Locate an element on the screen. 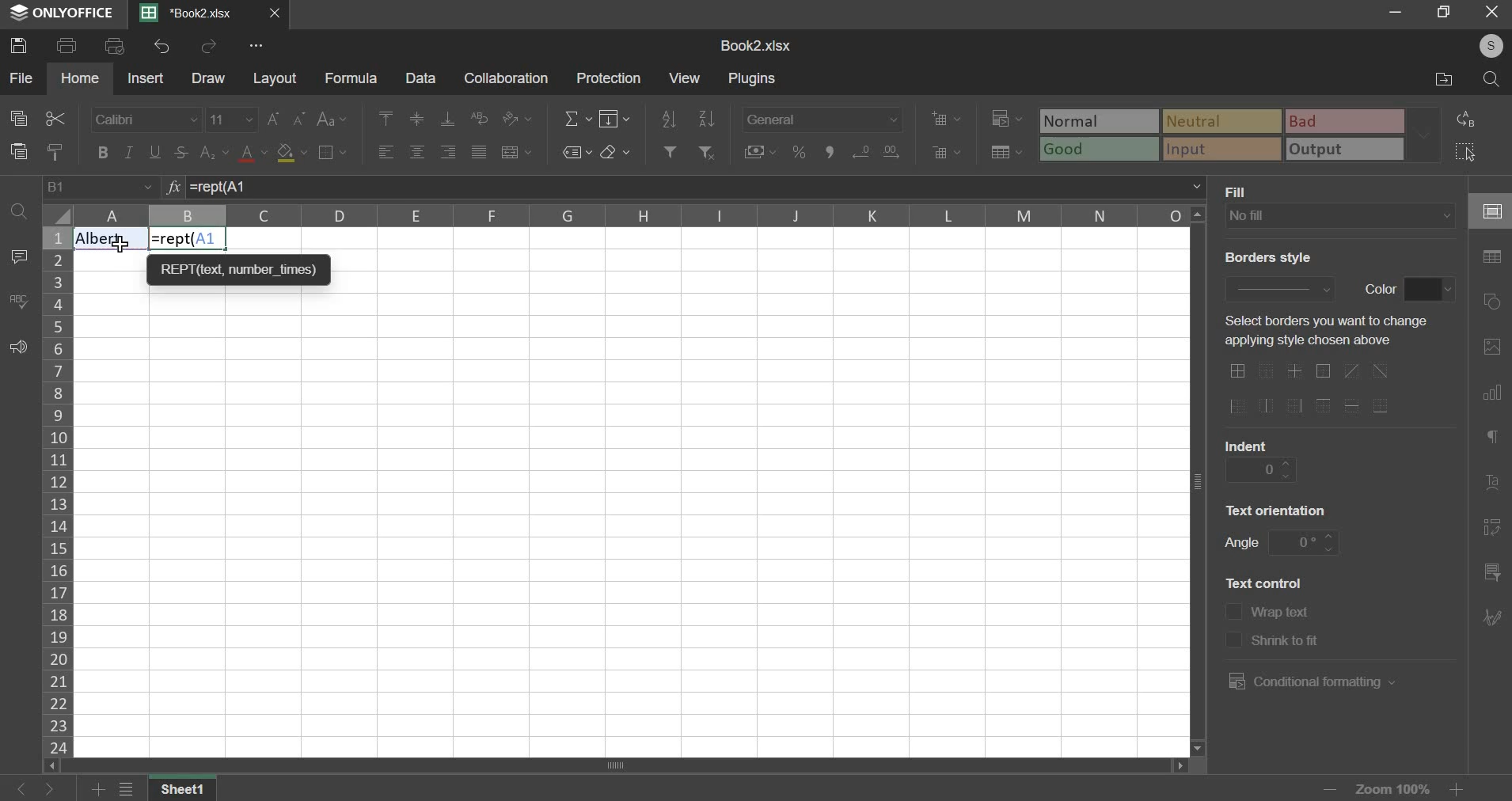 Image resolution: width=1512 pixels, height=801 pixels. chart settings is located at coordinates (1492, 392).